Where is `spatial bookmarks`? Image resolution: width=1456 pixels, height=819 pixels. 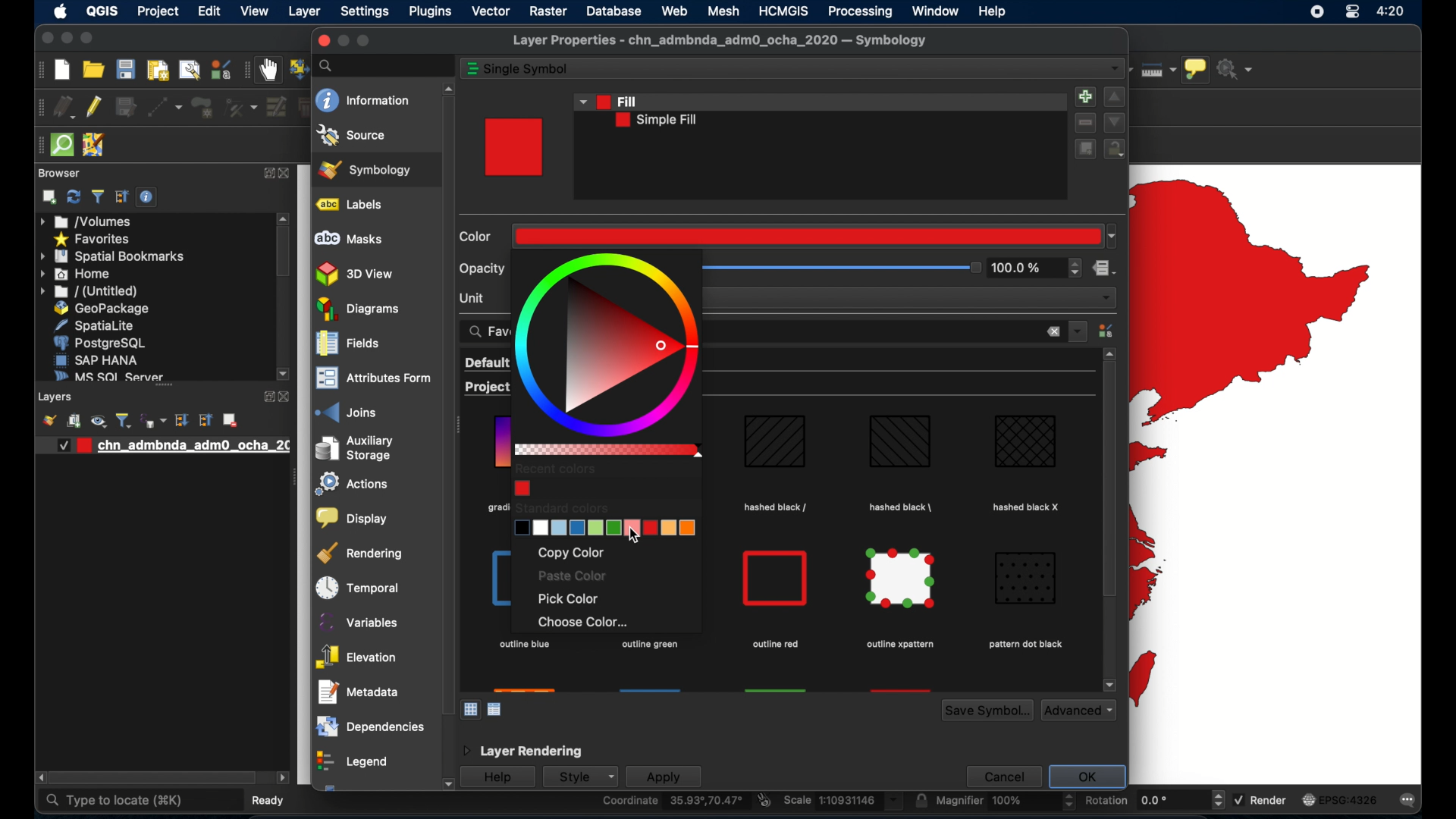
spatial bookmarks is located at coordinates (113, 256).